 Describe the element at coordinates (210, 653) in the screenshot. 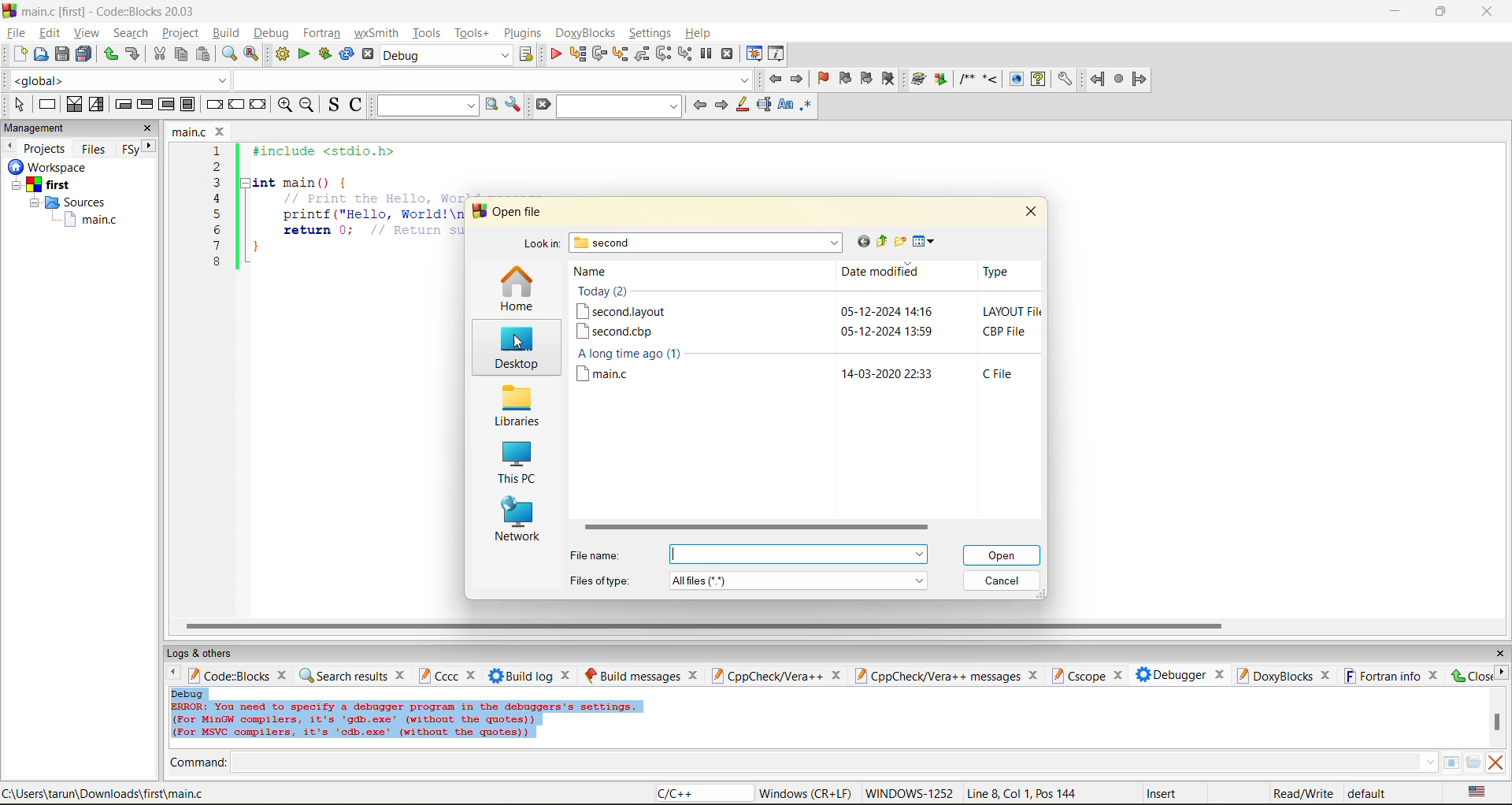

I see `logs and others` at that location.